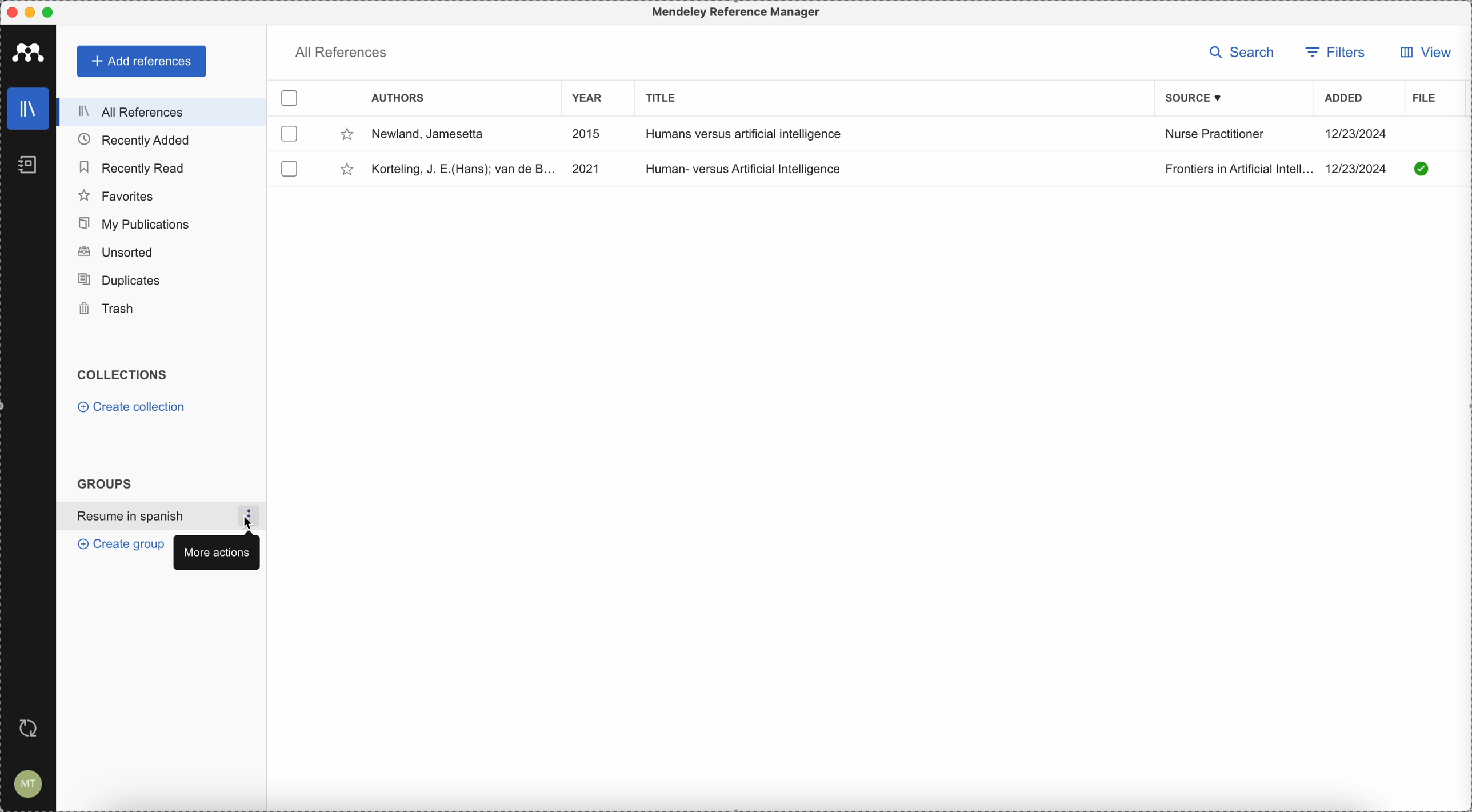 The height and width of the screenshot is (812, 1472). What do you see at coordinates (30, 729) in the screenshot?
I see `last sync` at bounding box center [30, 729].